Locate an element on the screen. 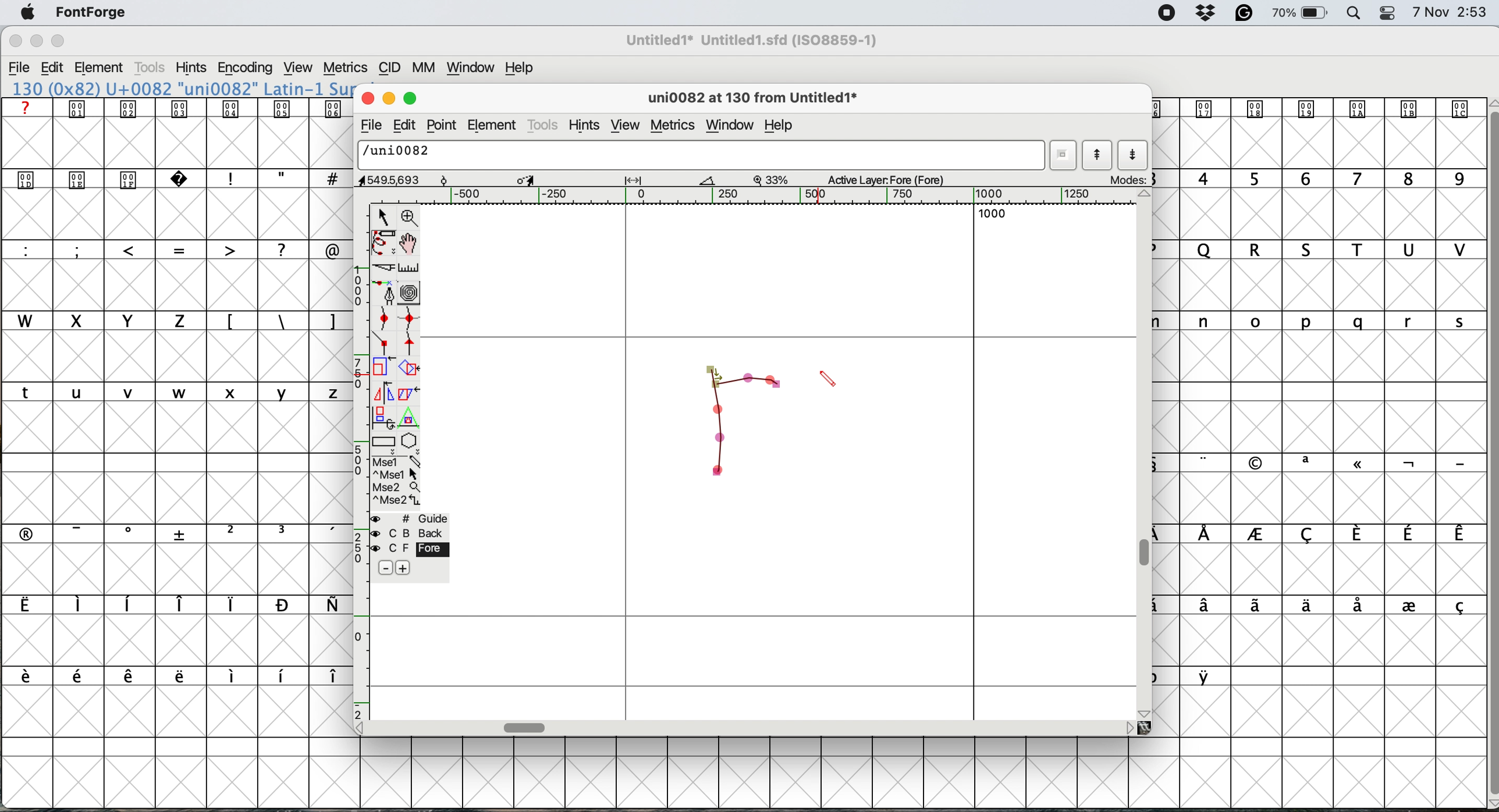  special characters is located at coordinates (168, 675).